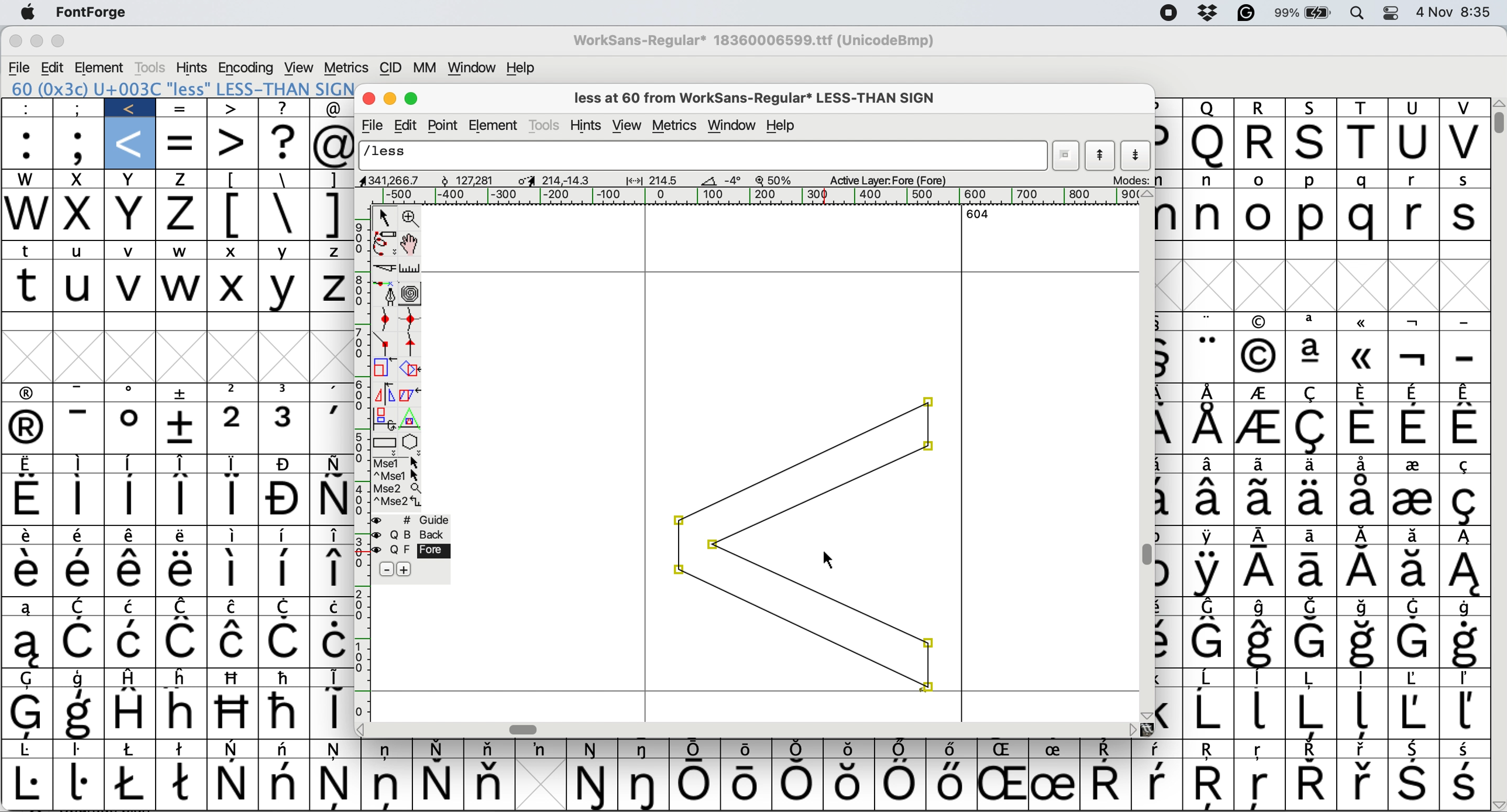 The height and width of the screenshot is (812, 1507). Describe the element at coordinates (301, 67) in the screenshot. I see `view` at that location.